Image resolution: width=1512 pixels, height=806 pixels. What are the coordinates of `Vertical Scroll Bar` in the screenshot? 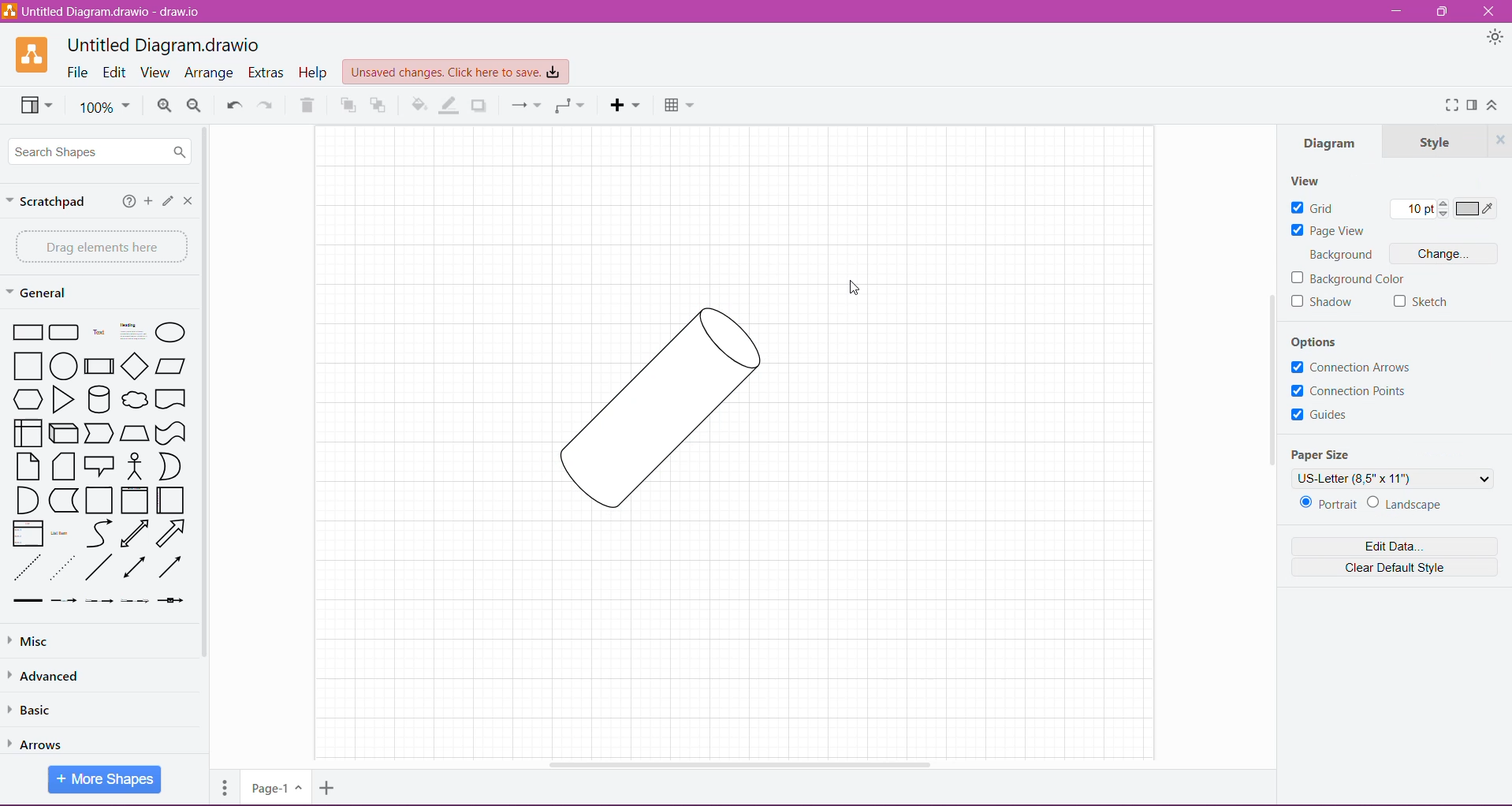 It's located at (1270, 378).